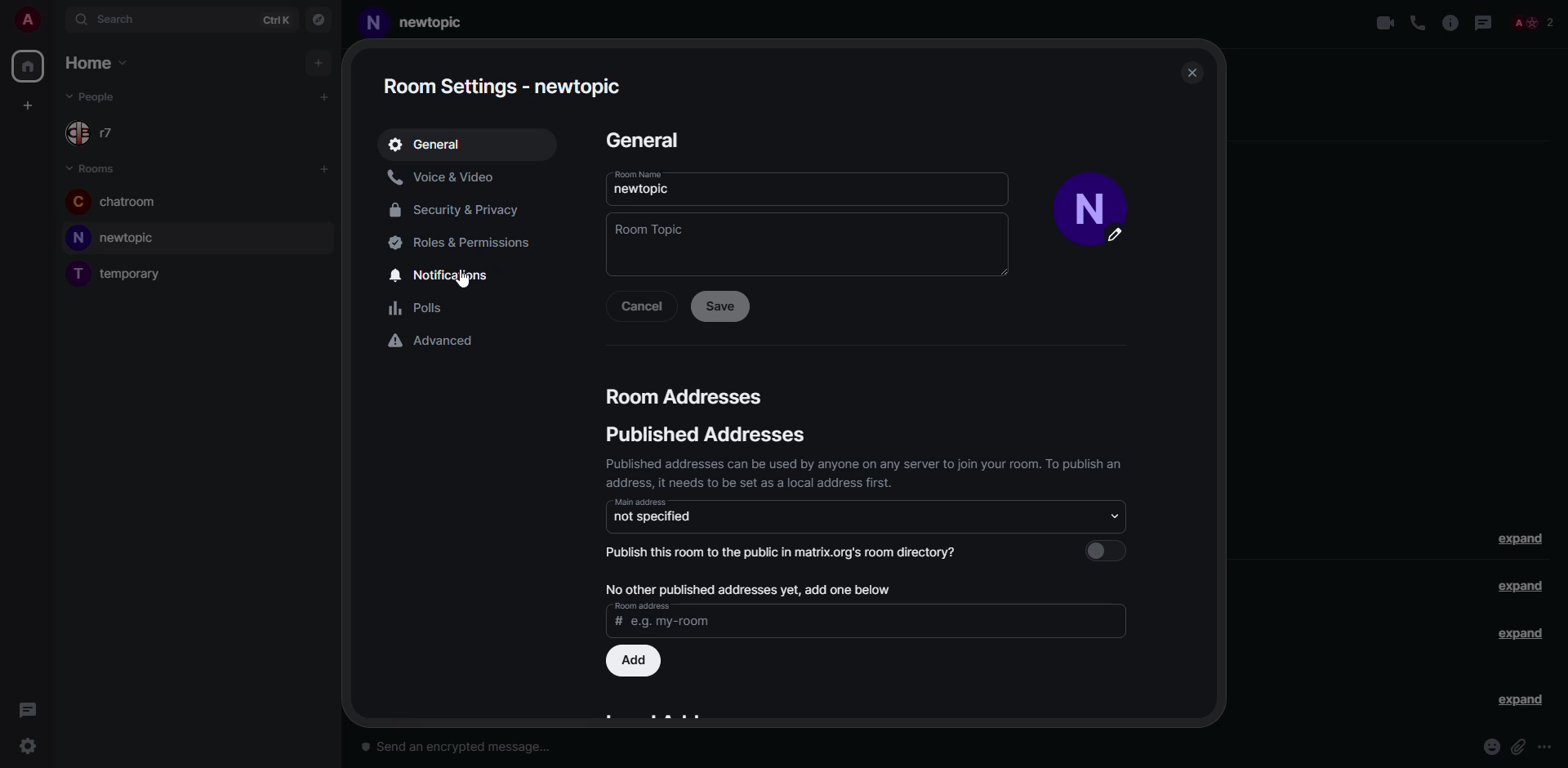  What do you see at coordinates (653, 502) in the screenshot?
I see `mini address` at bounding box center [653, 502].